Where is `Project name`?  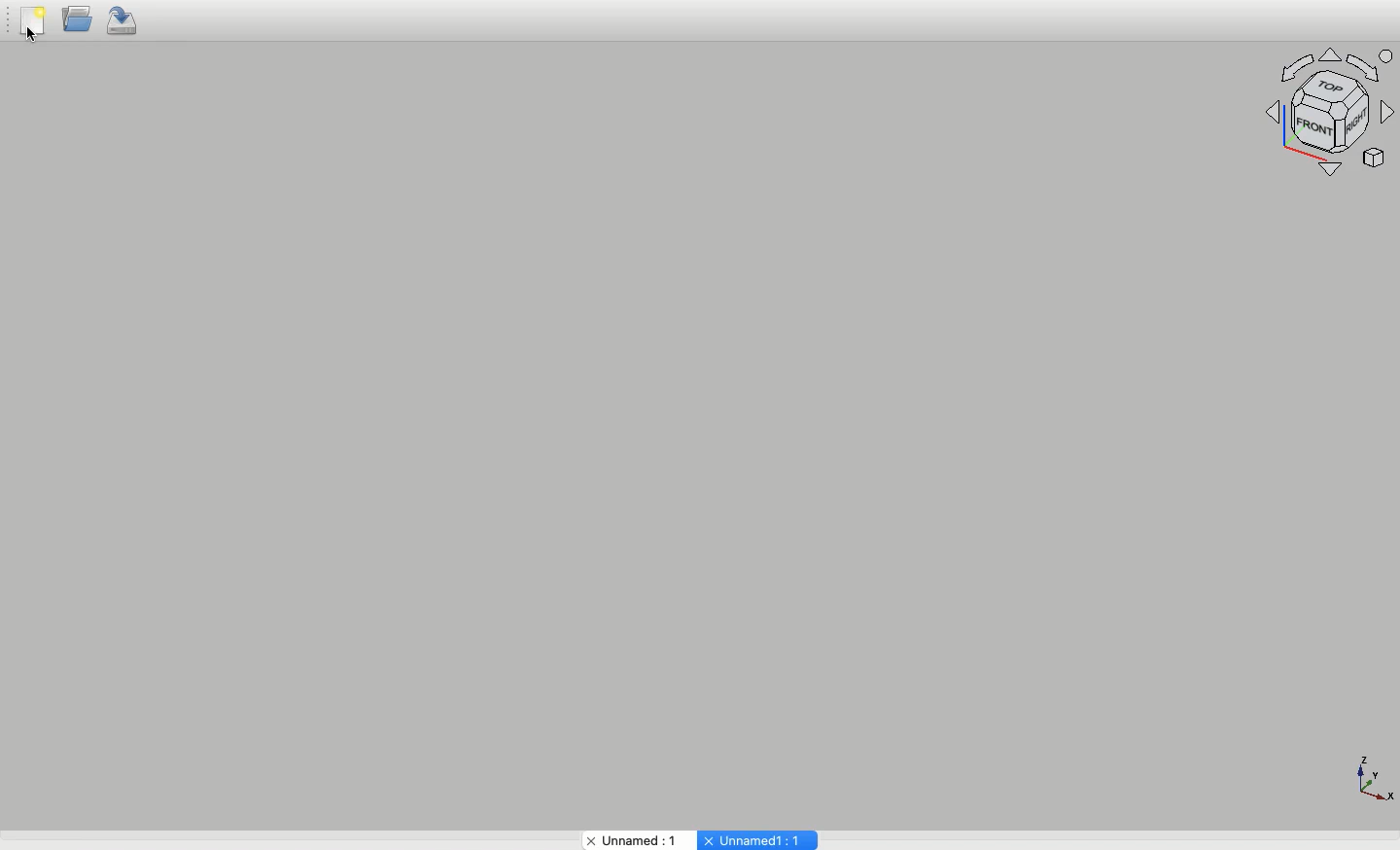 Project name is located at coordinates (629, 838).